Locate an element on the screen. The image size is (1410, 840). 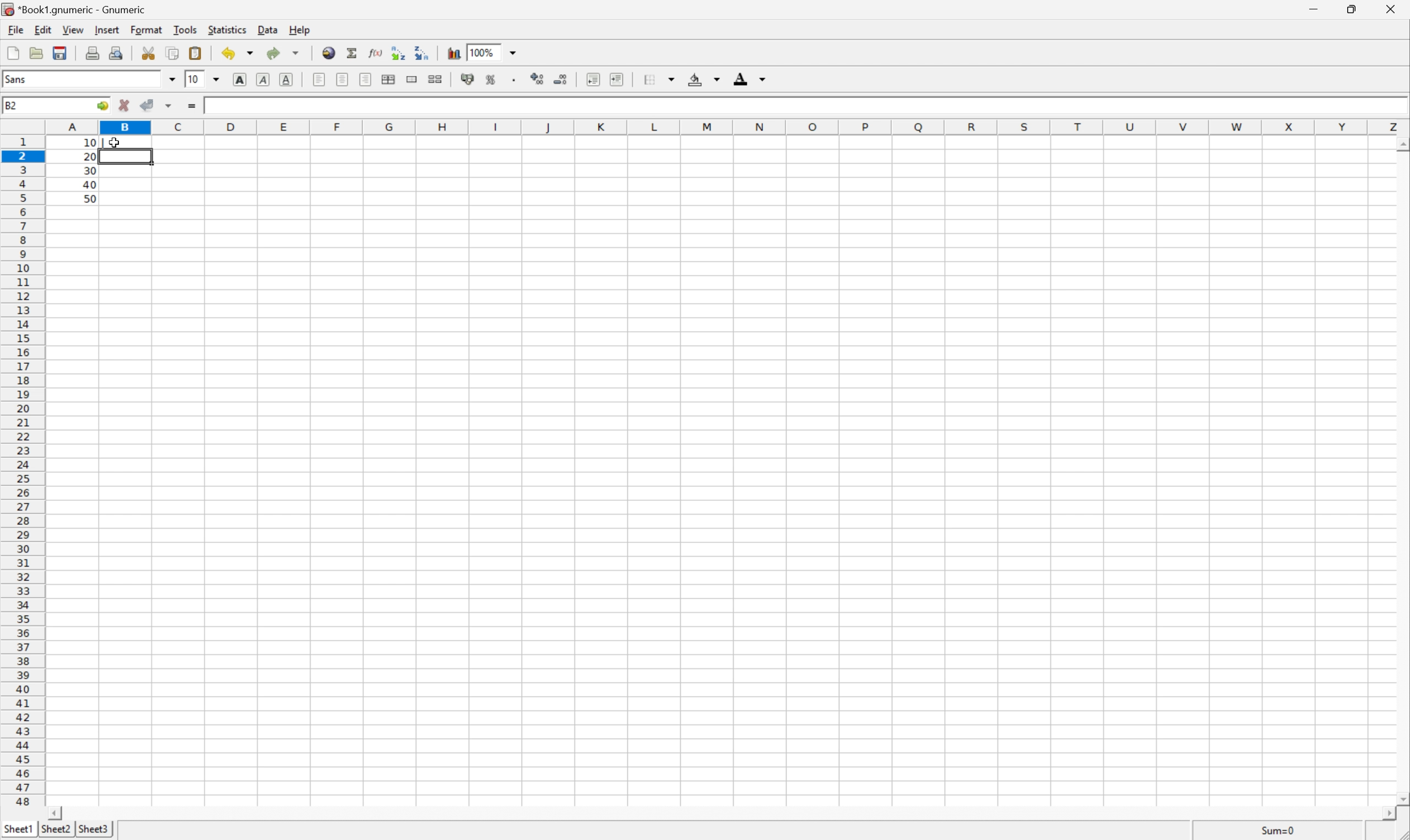
Cancel changes is located at coordinates (126, 106).